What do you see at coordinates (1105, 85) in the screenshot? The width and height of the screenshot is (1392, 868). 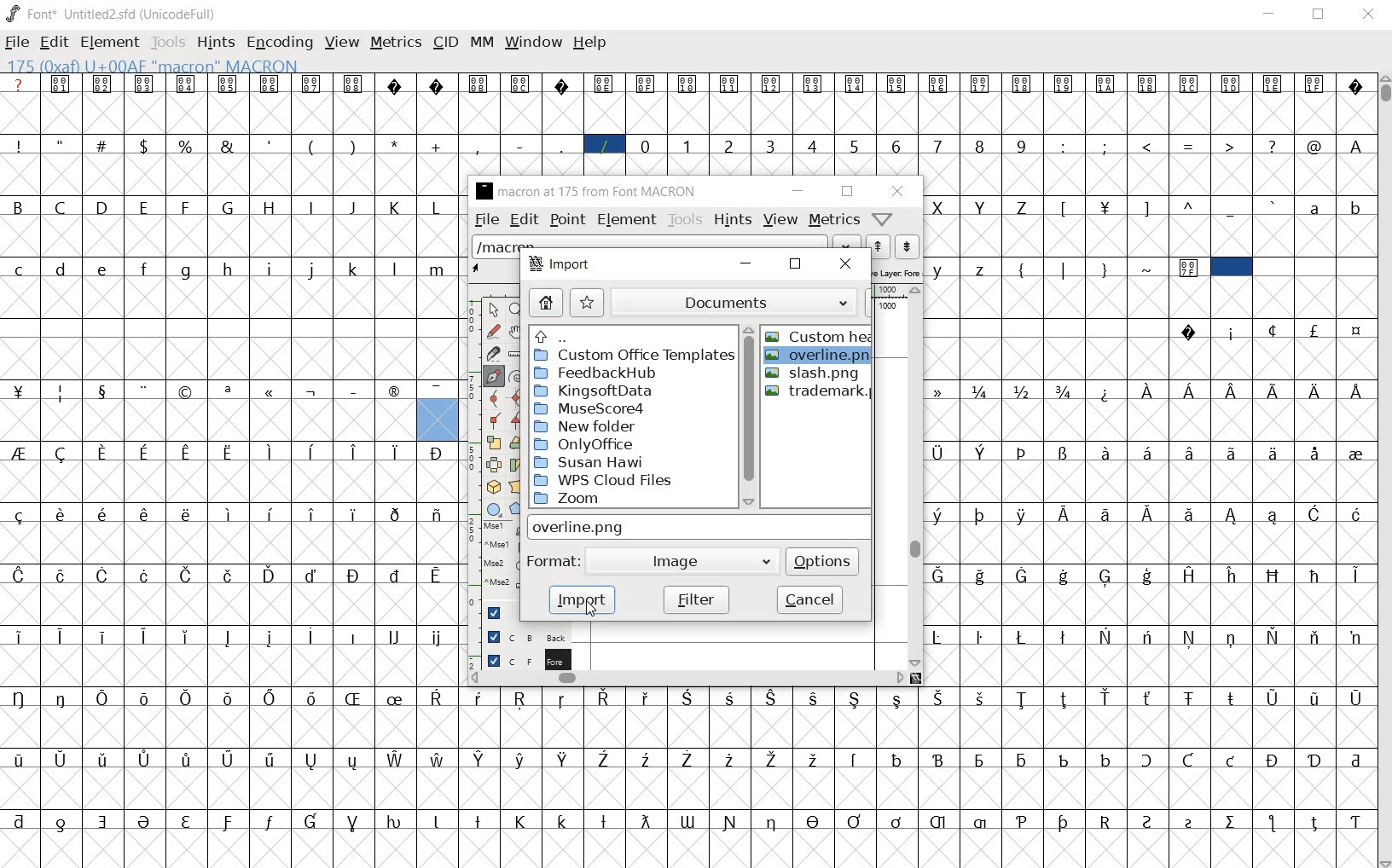 I see `Symbol` at bounding box center [1105, 85].